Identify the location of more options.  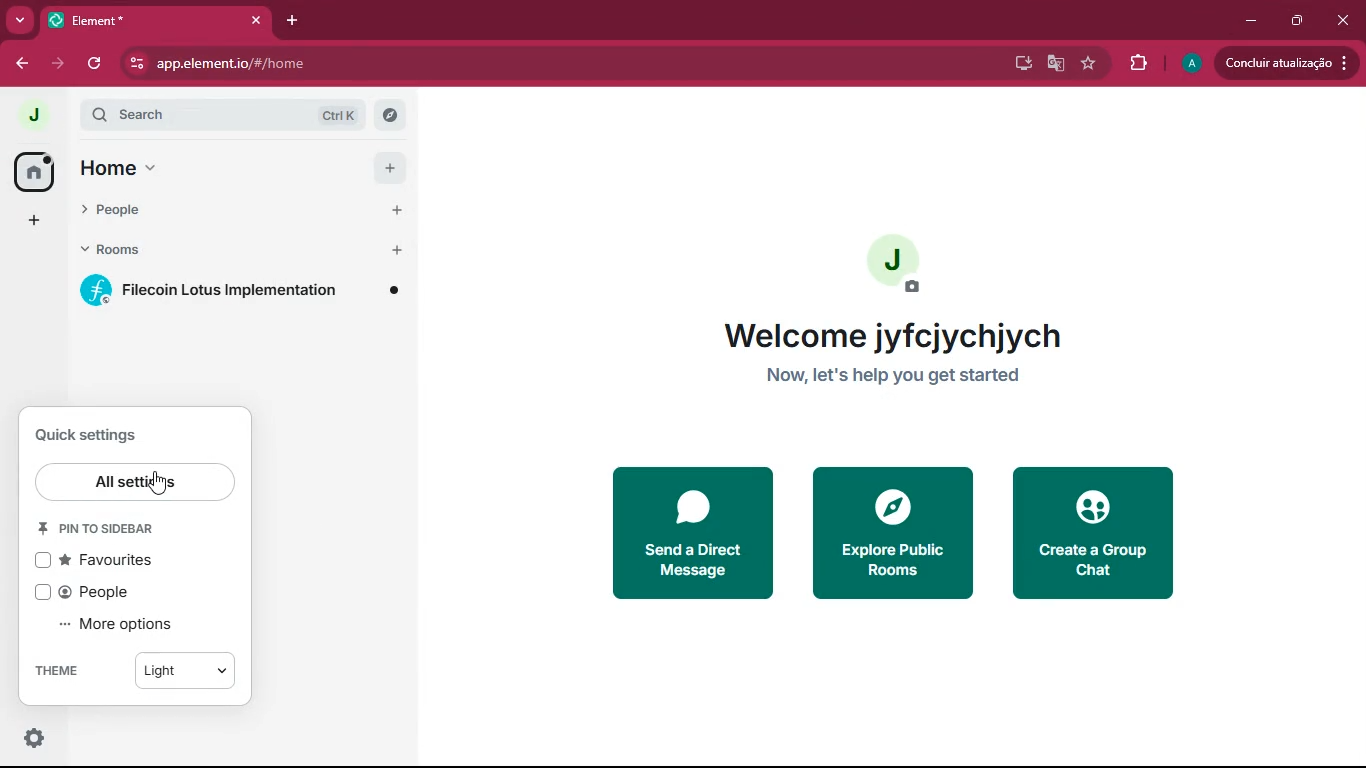
(126, 625).